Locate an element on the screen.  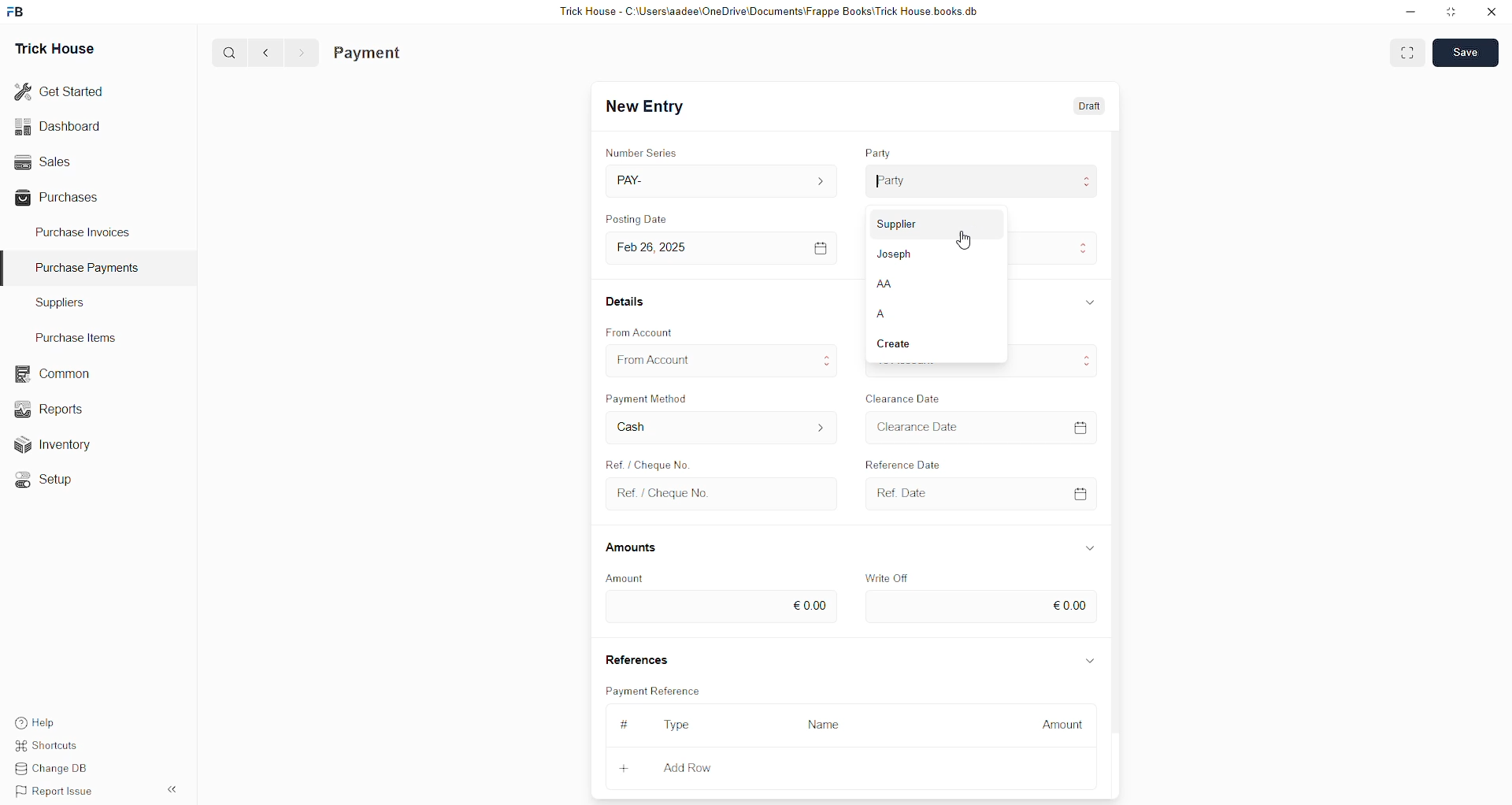
Report Issue is located at coordinates (51, 789).